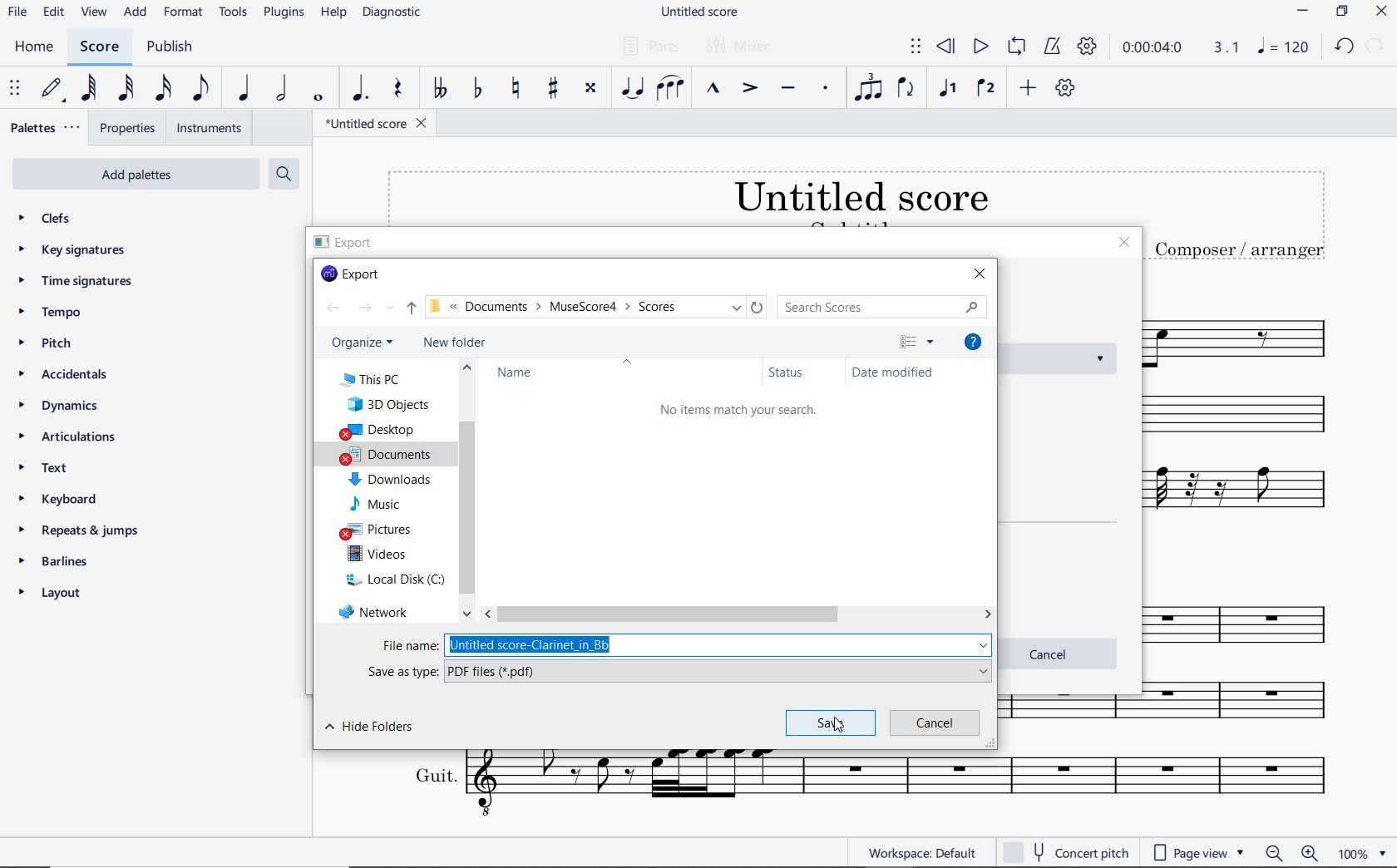  I want to click on time signatures, so click(77, 283).